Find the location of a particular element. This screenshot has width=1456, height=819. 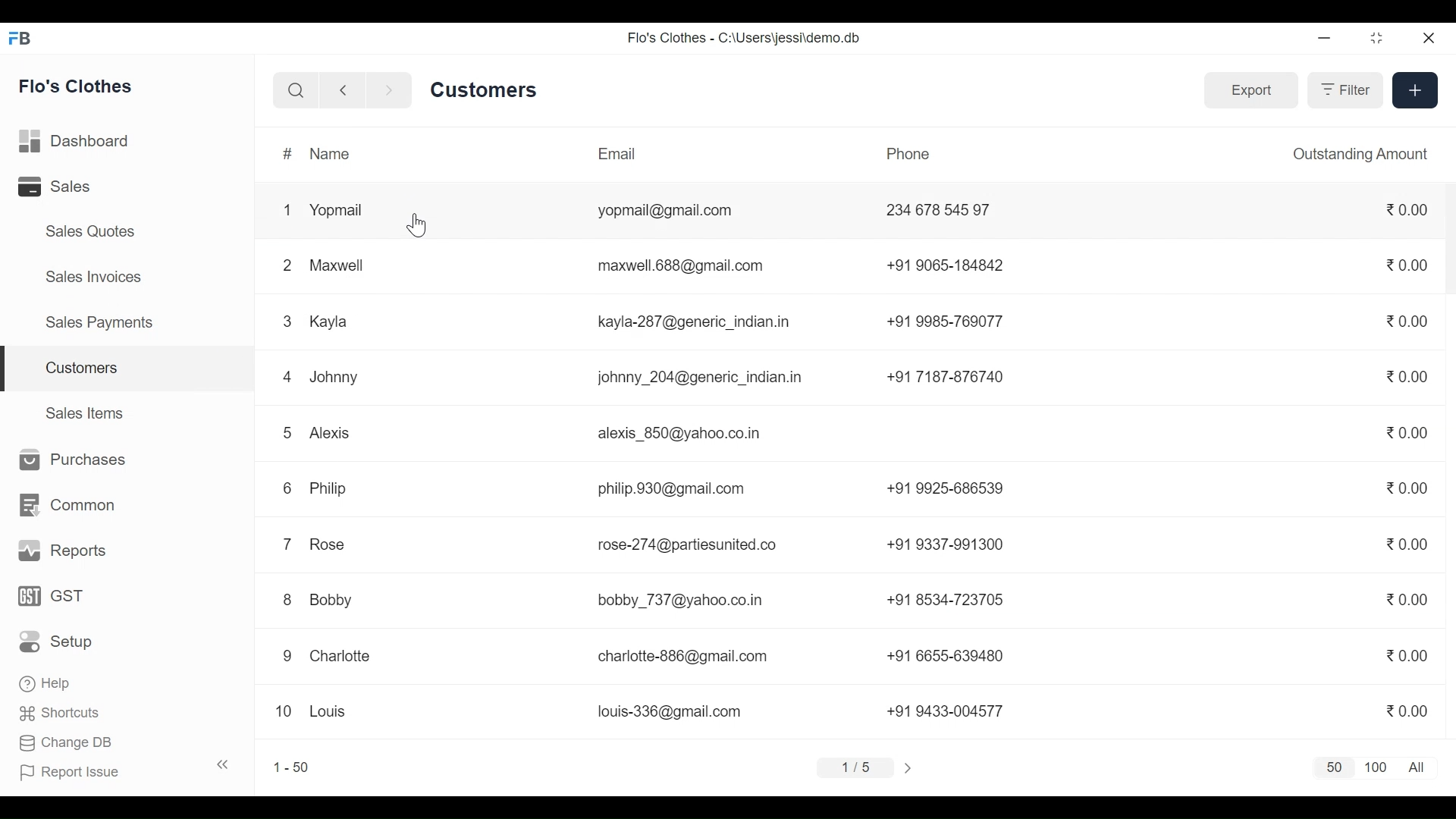

Charlotte is located at coordinates (338, 657).